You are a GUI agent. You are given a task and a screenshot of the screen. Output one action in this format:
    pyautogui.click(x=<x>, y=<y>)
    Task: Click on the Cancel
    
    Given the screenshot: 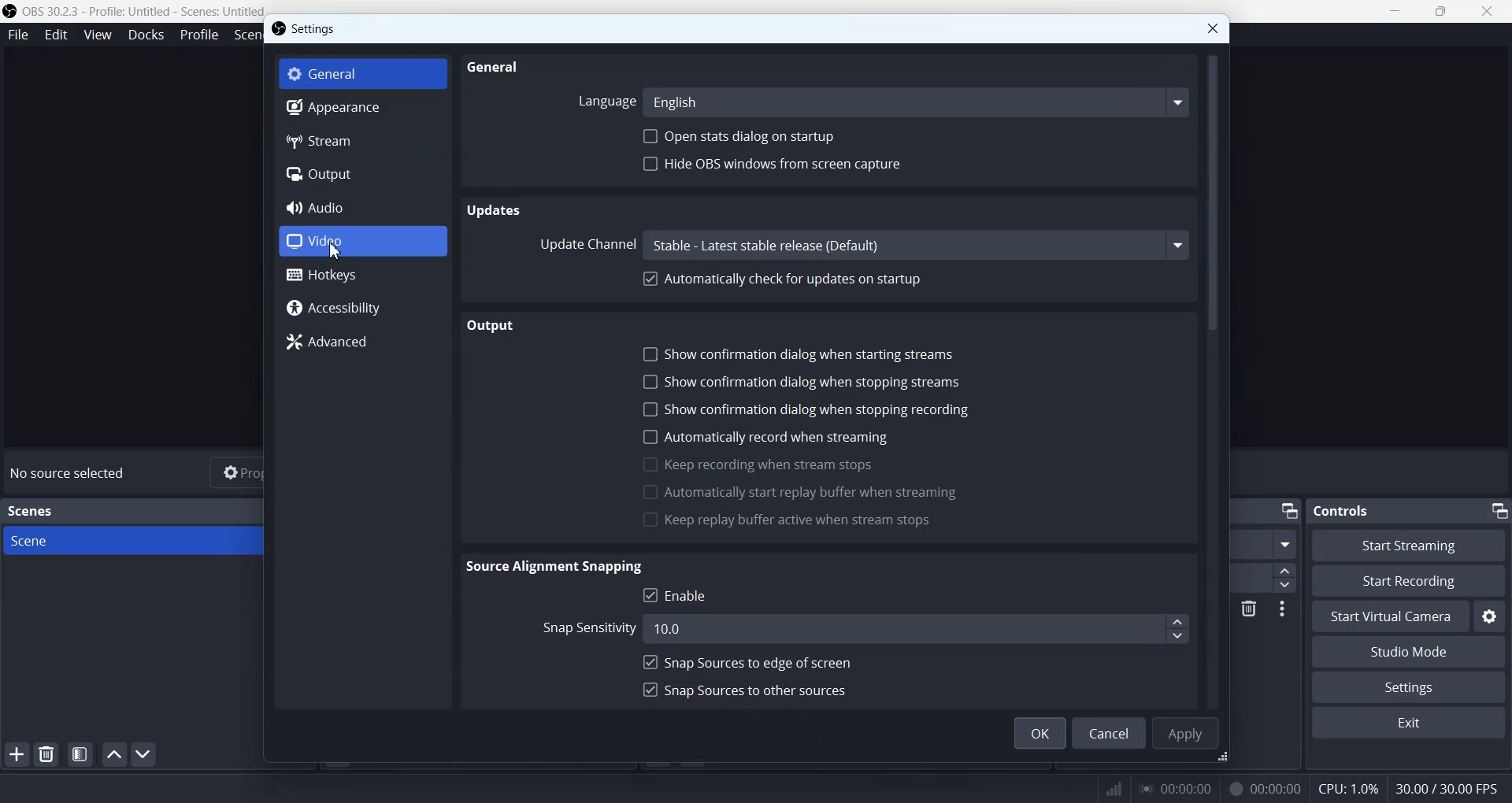 What is the action you would take?
    pyautogui.click(x=1110, y=732)
    